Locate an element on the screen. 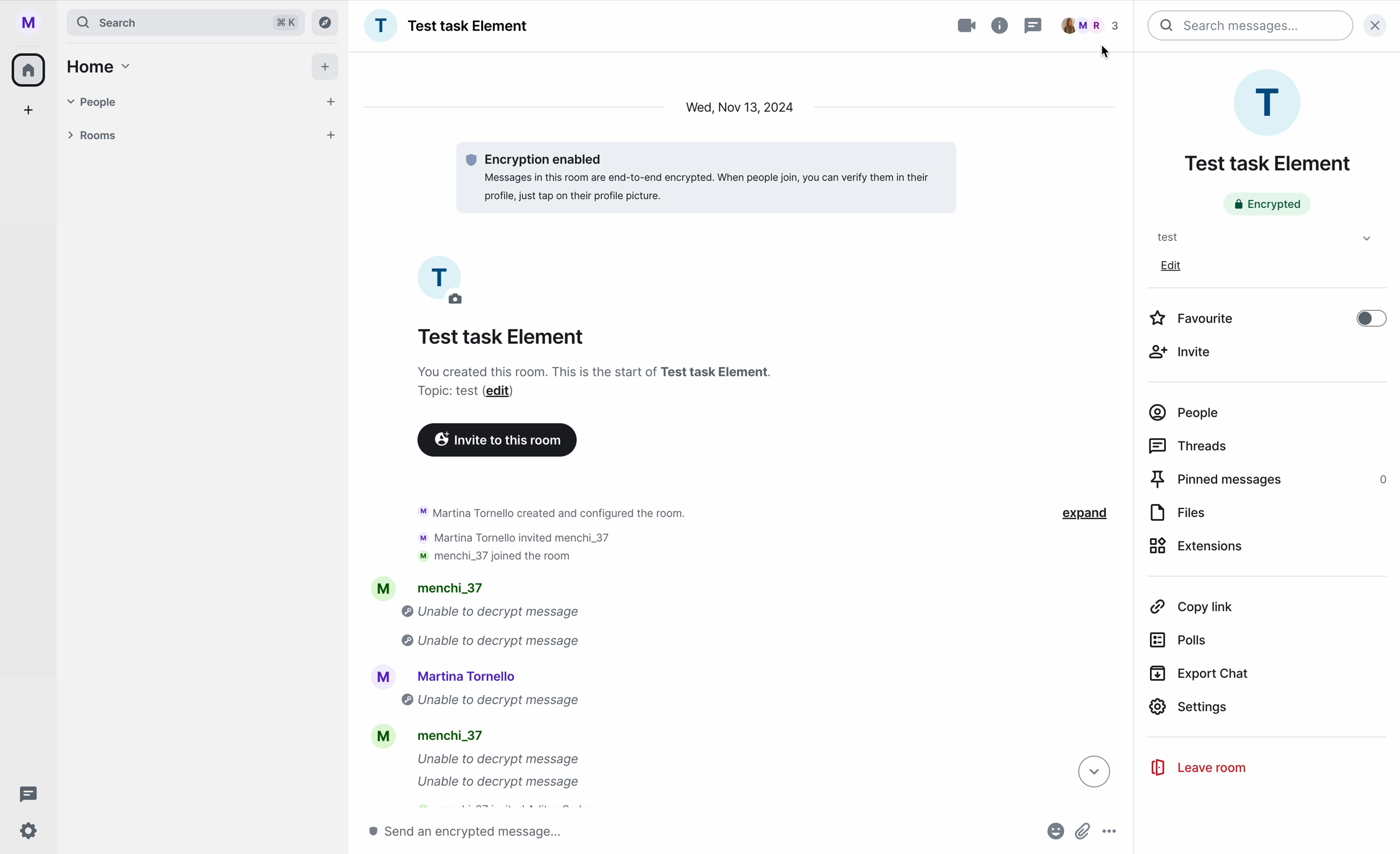 This screenshot has height=854, width=1400. invite to this room button is located at coordinates (498, 439).